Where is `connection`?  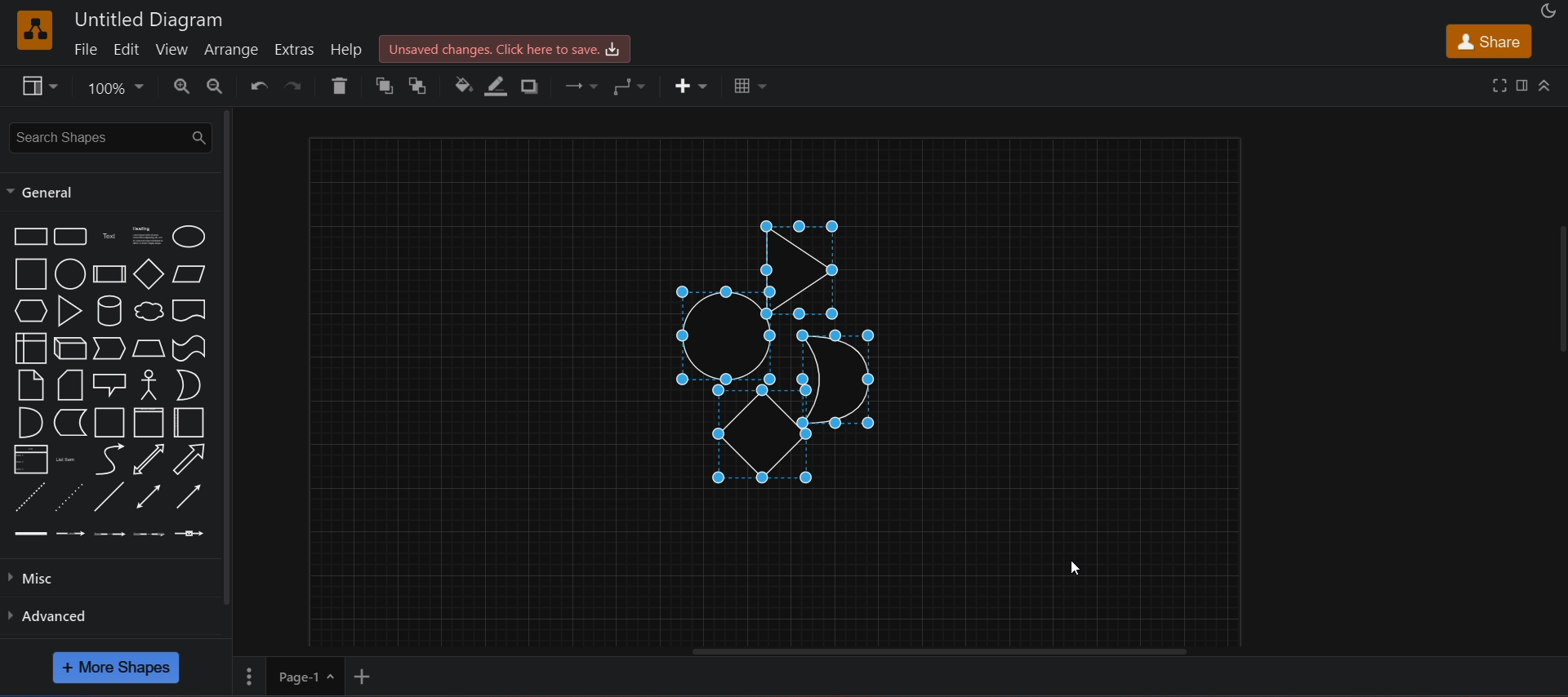 connection is located at coordinates (584, 87).